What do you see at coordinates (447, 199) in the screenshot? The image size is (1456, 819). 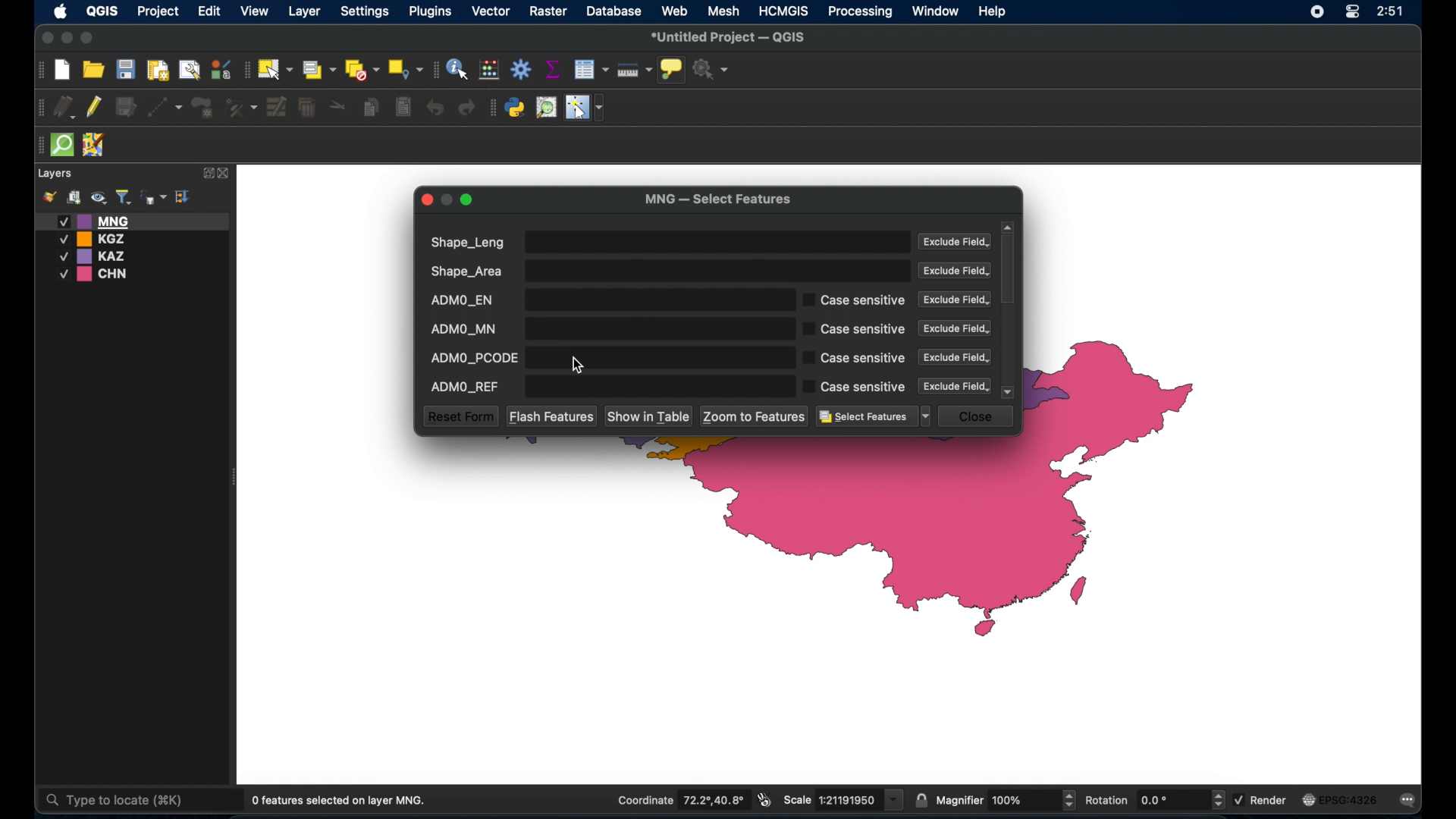 I see `inactive minimize` at bounding box center [447, 199].